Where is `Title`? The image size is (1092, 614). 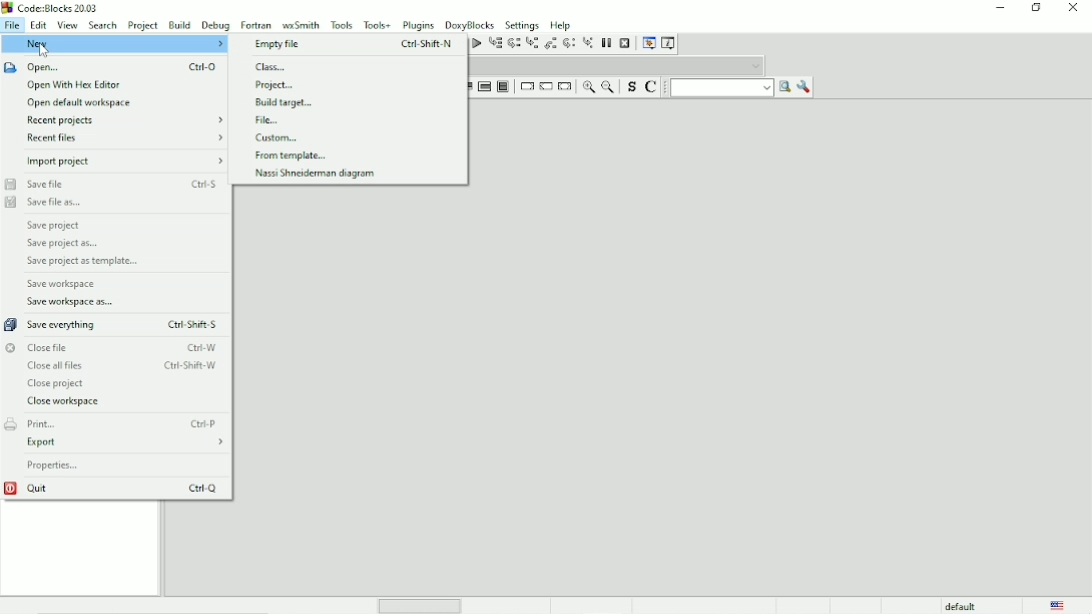
Title is located at coordinates (50, 8).